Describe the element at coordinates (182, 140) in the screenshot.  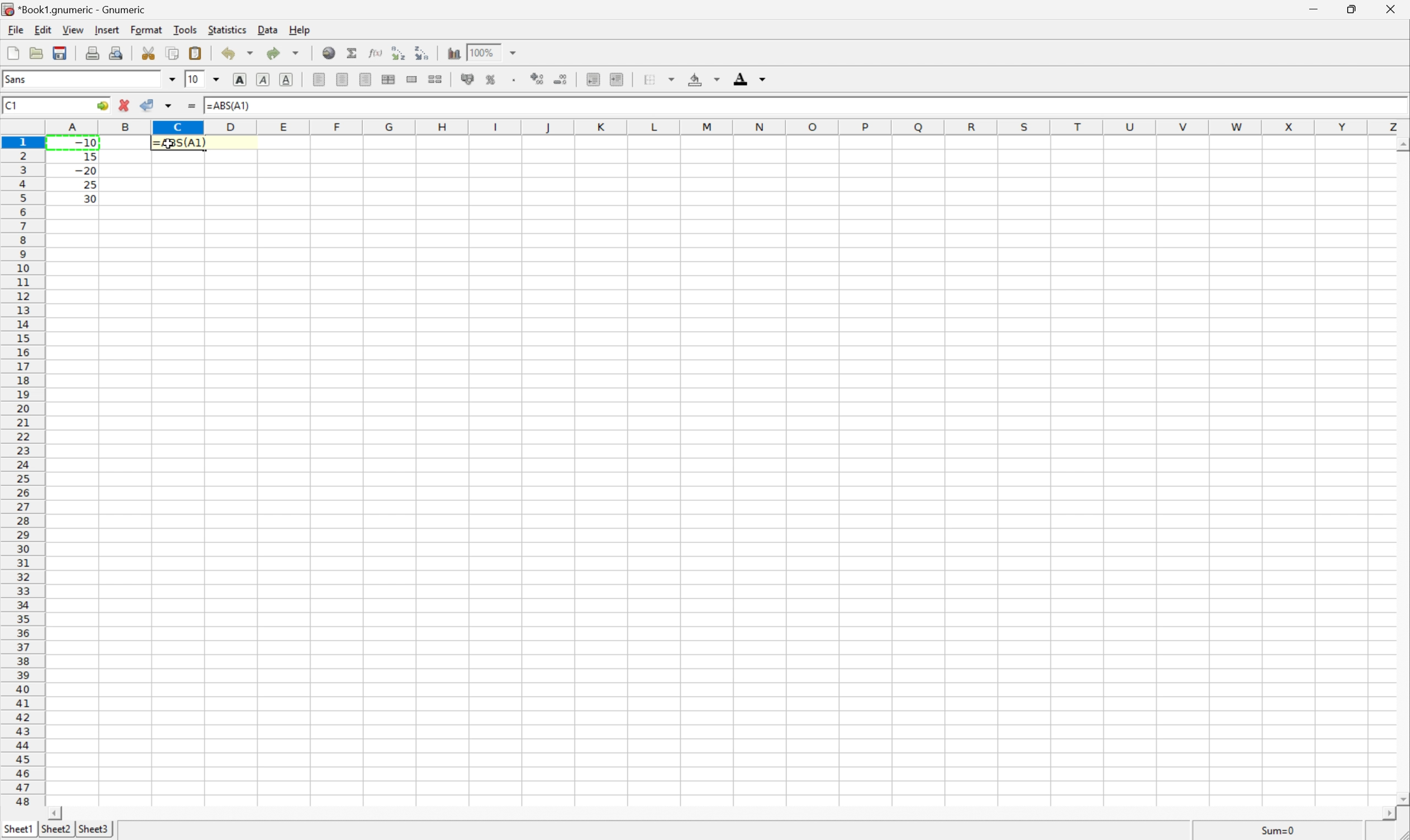
I see `=ABS(A1)` at that location.